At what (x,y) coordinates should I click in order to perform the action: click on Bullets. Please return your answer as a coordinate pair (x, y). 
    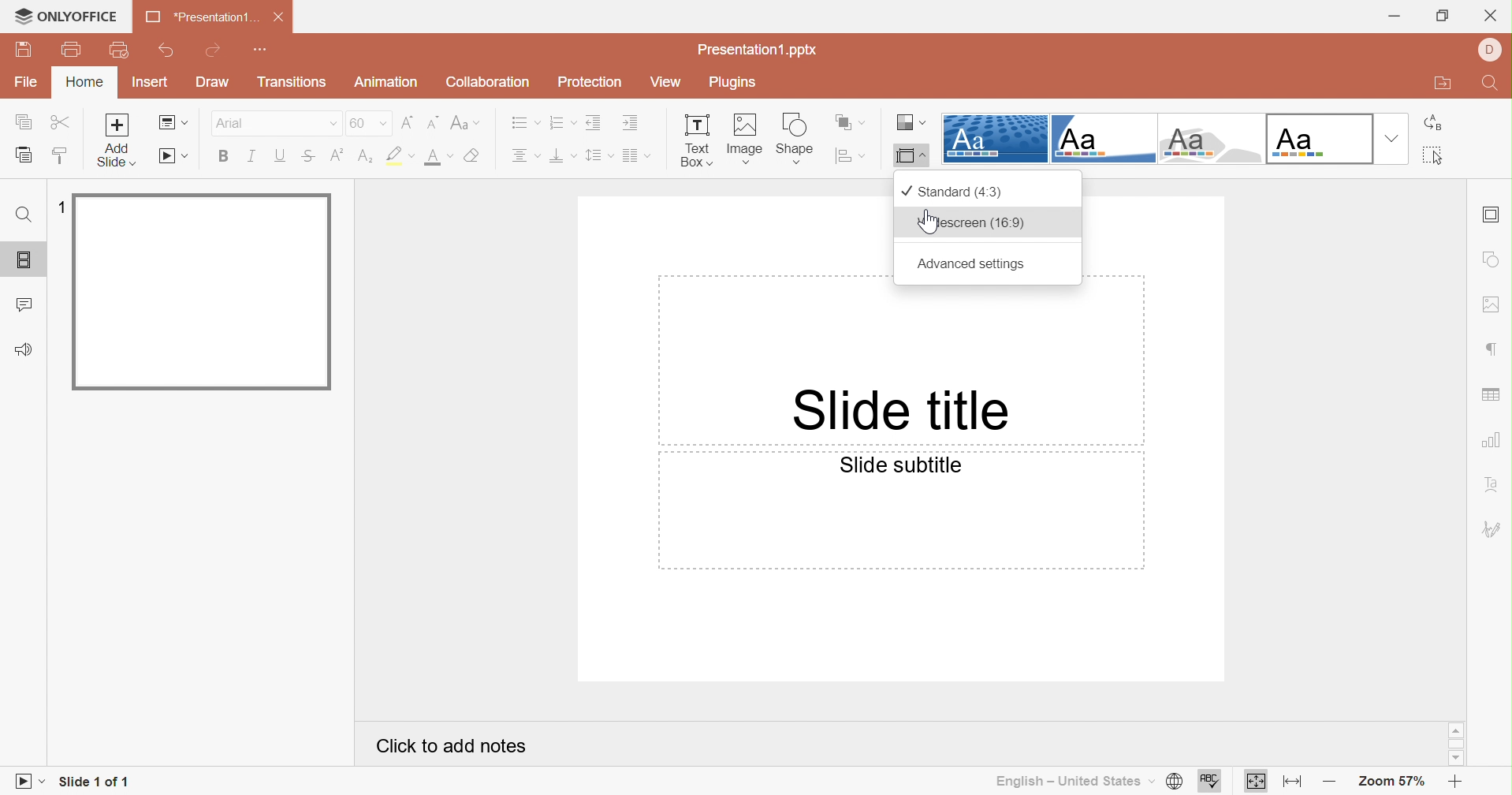
    Looking at the image, I should click on (522, 121).